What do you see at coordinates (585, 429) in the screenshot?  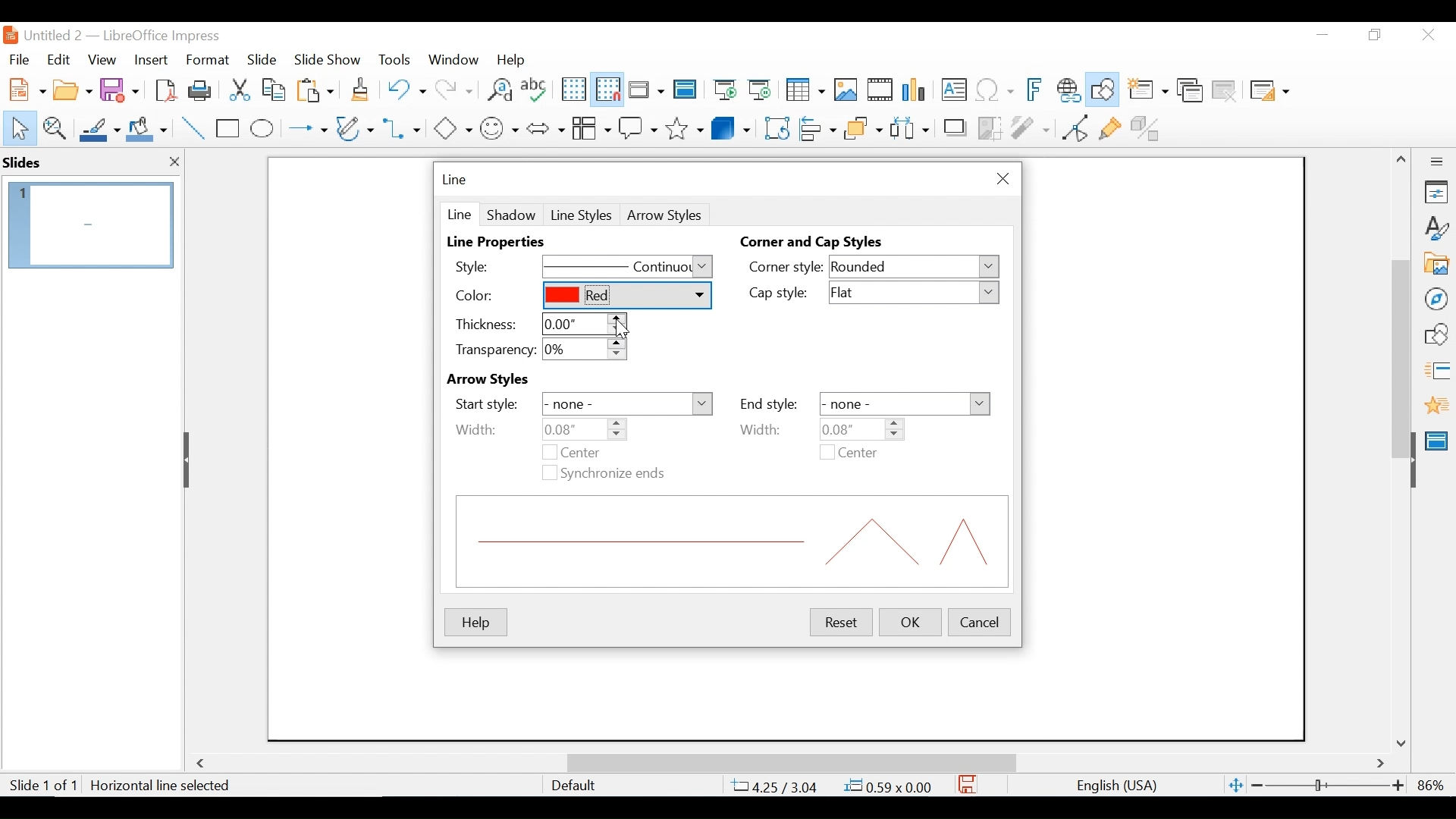 I see `0.08"` at bounding box center [585, 429].